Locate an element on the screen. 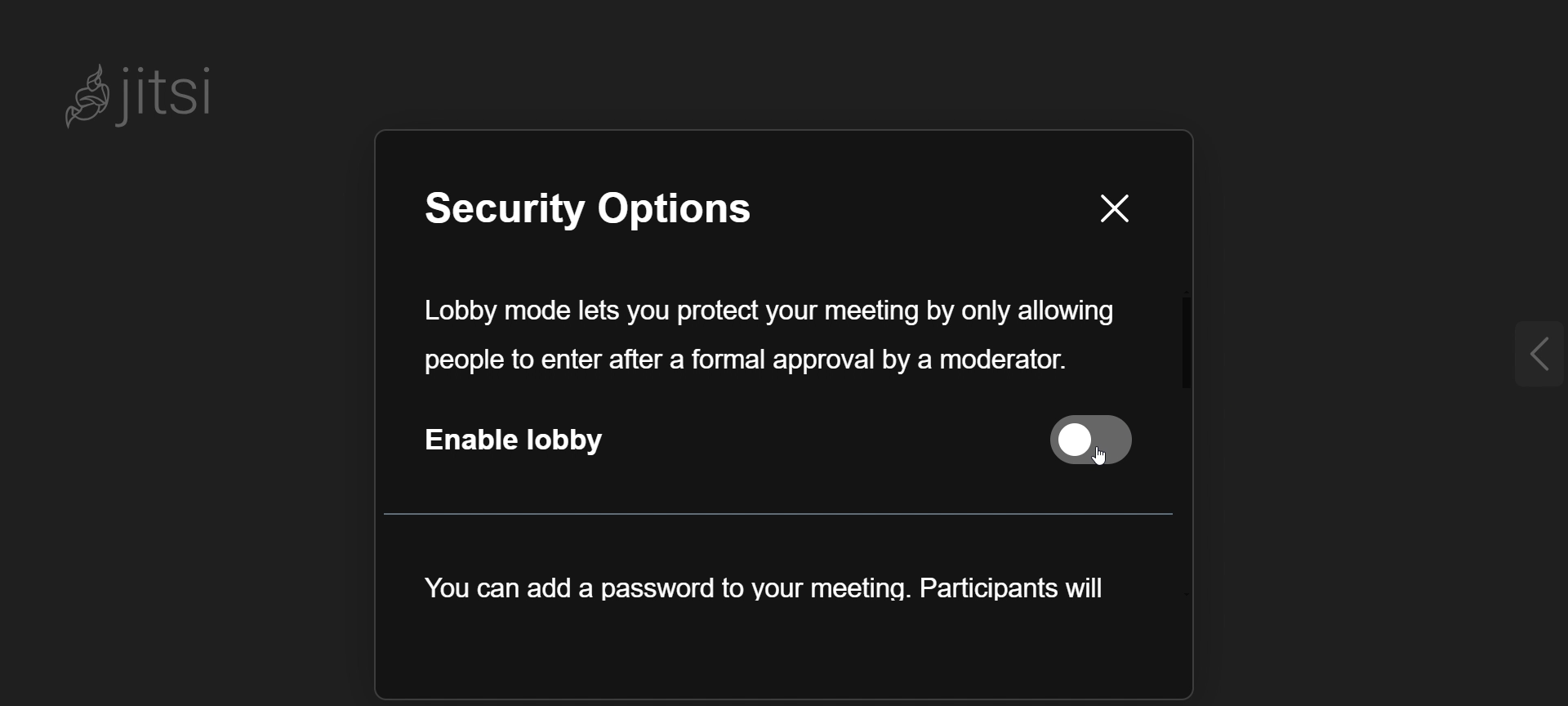 The height and width of the screenshot is (706, 1568). Enable Lobby Option is located at coordinates (777, 449).